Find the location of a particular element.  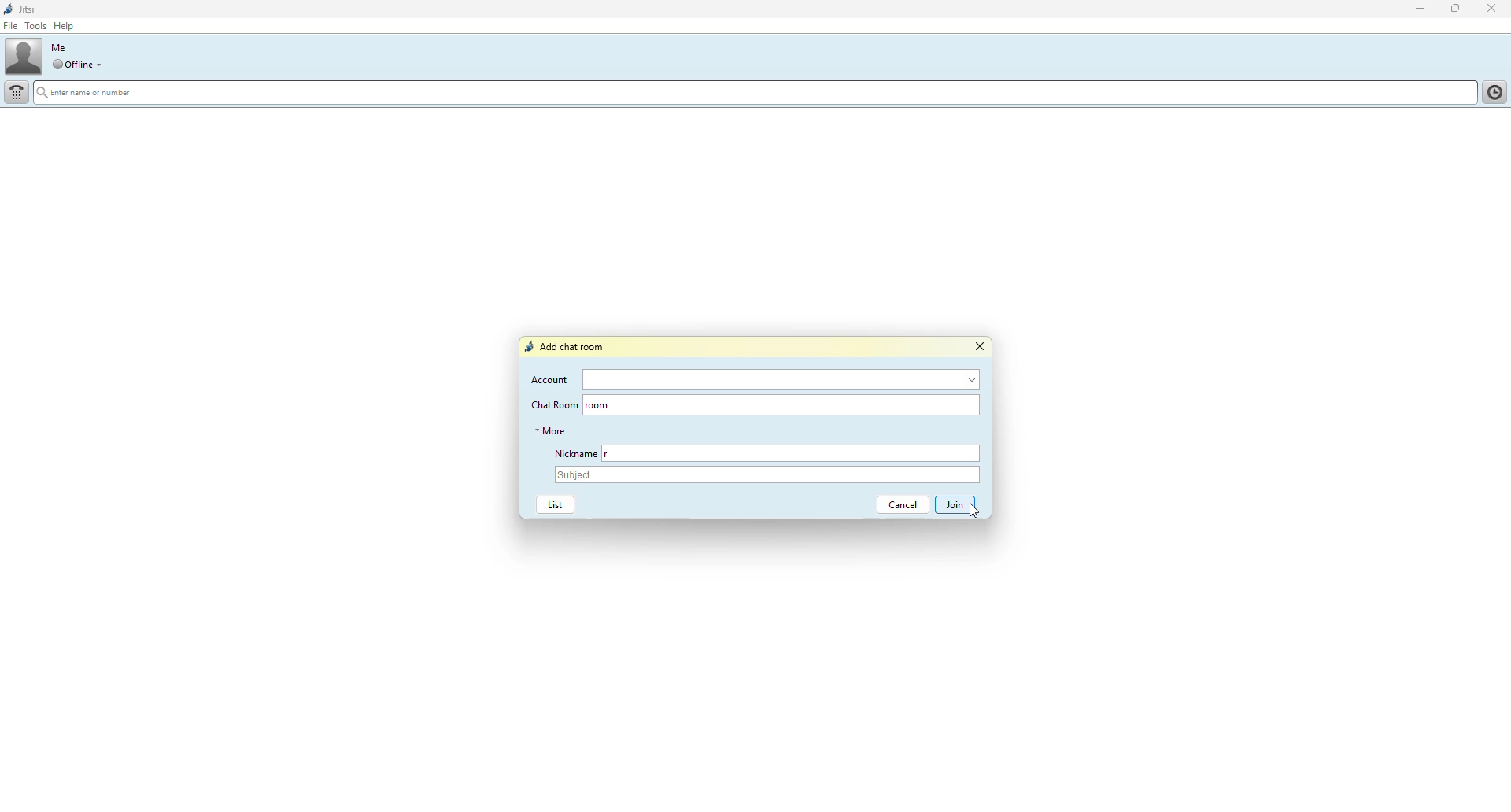

drop down is located at coordinates (102, 65).